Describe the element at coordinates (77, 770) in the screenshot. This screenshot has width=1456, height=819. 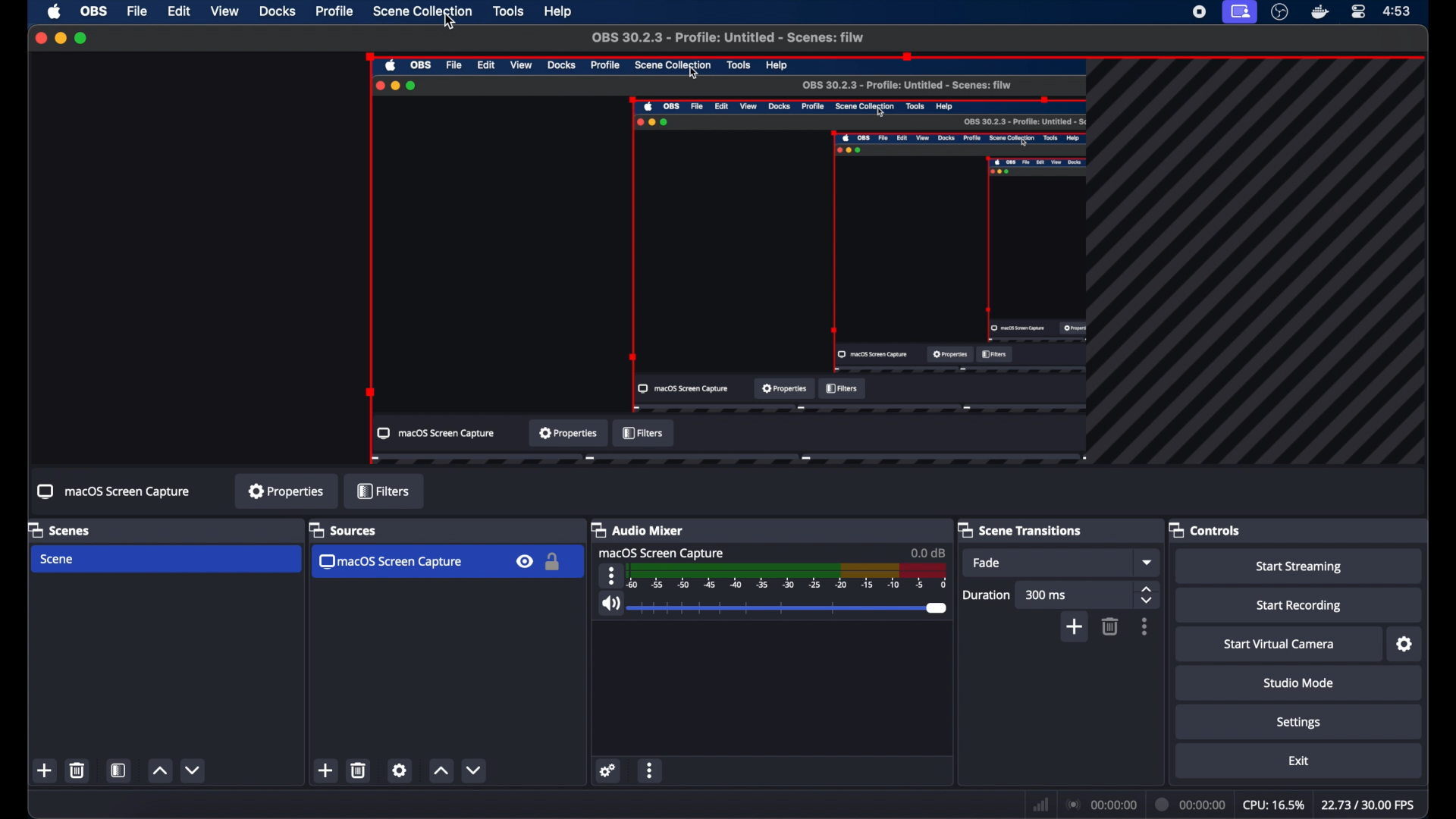
I see `trash` at that location.